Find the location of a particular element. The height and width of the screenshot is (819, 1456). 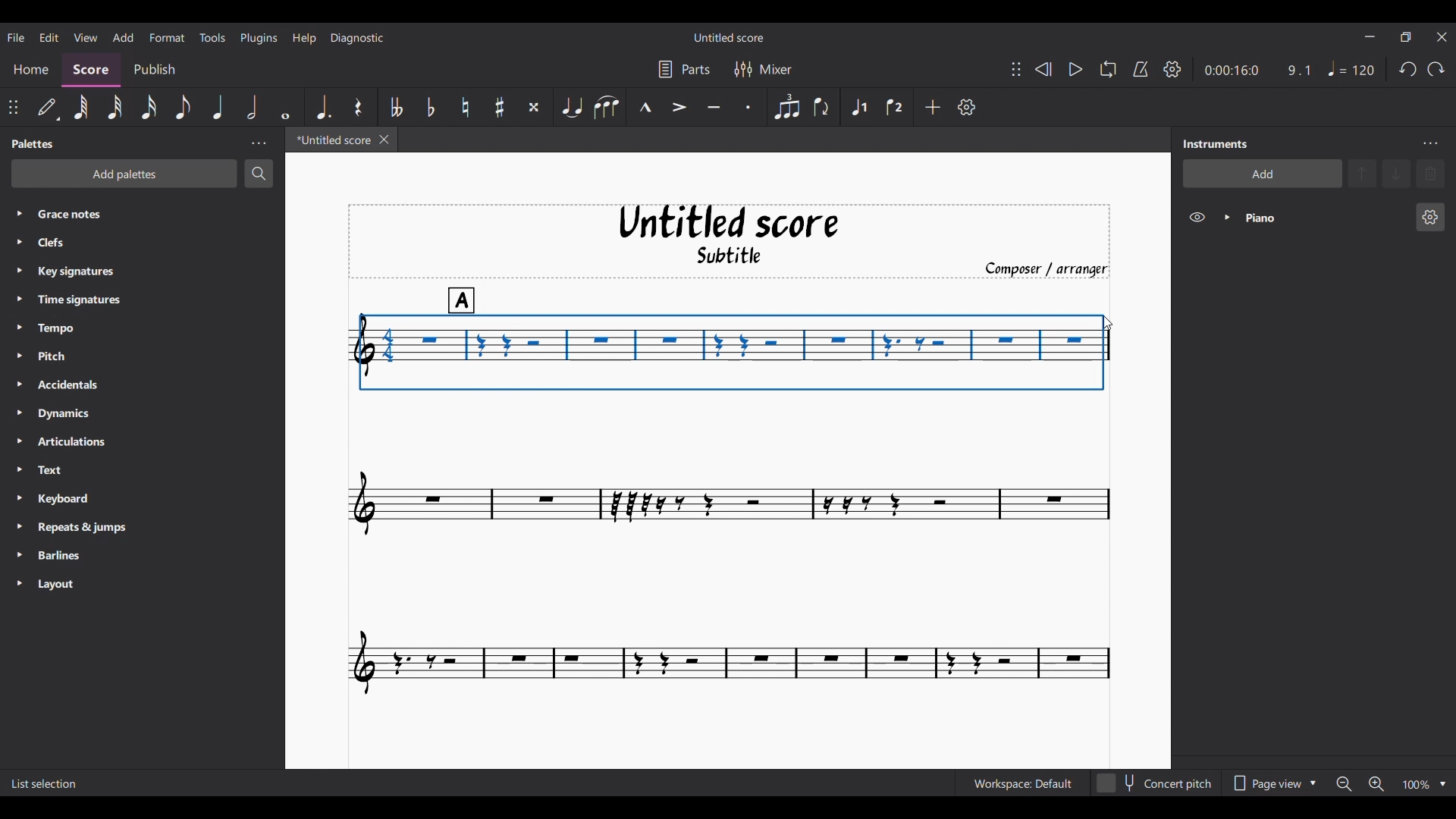

Rewind is located at coordinates (1043, 69).